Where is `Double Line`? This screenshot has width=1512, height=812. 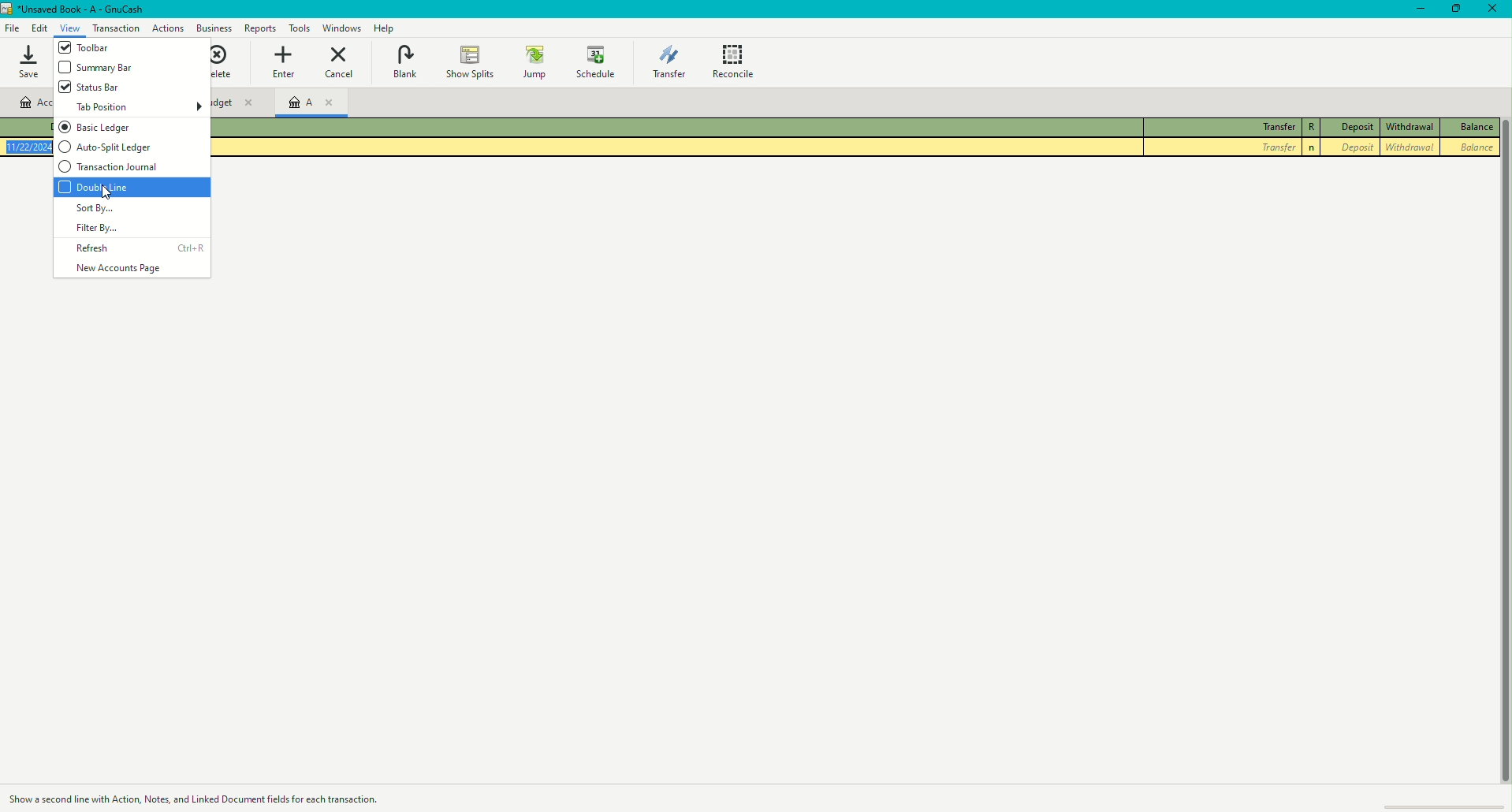
Double Line is located at coordinates (132, 189).